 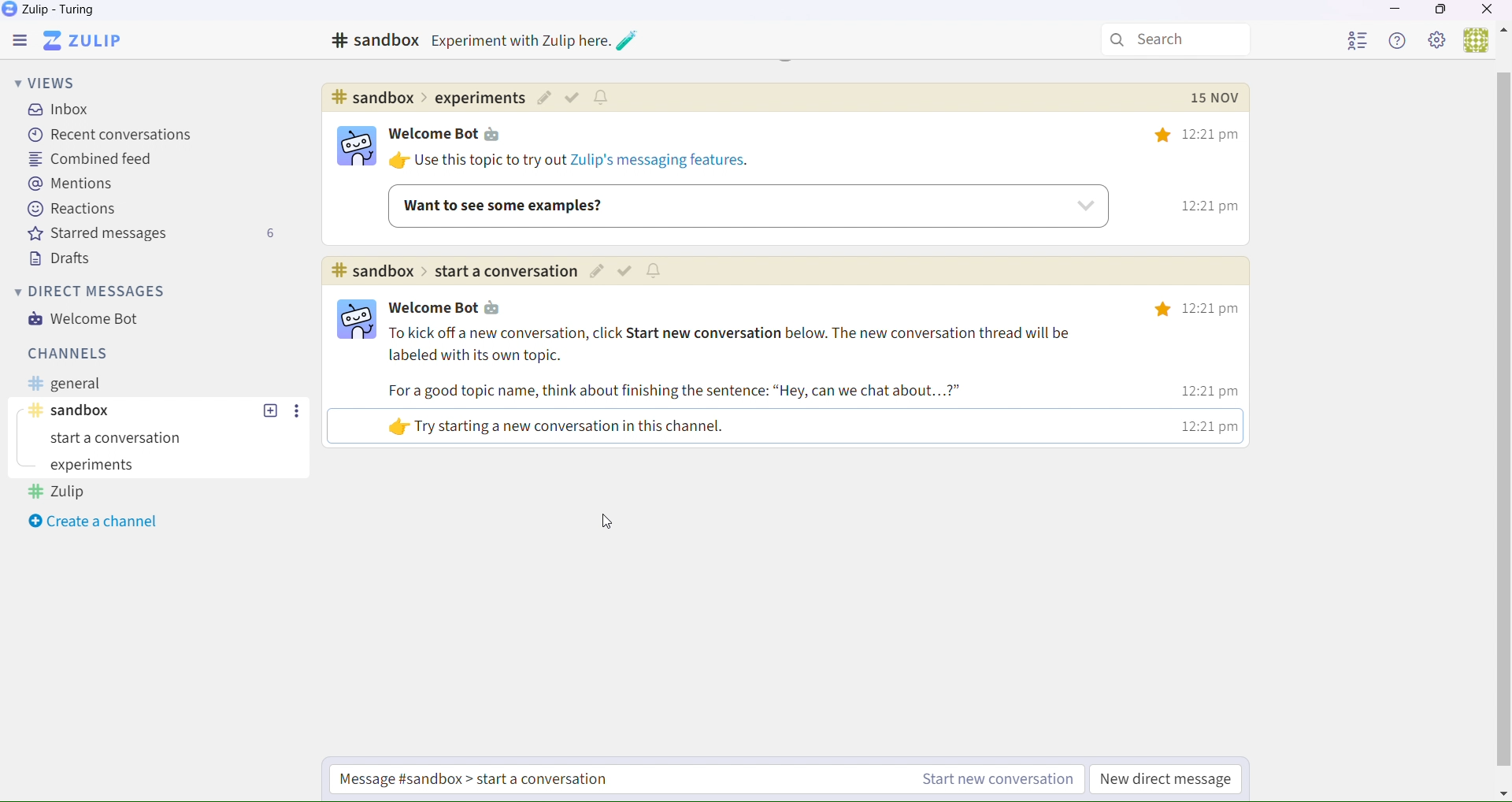 I want to click on 12:21 pm, so click(x=1209, y=388).